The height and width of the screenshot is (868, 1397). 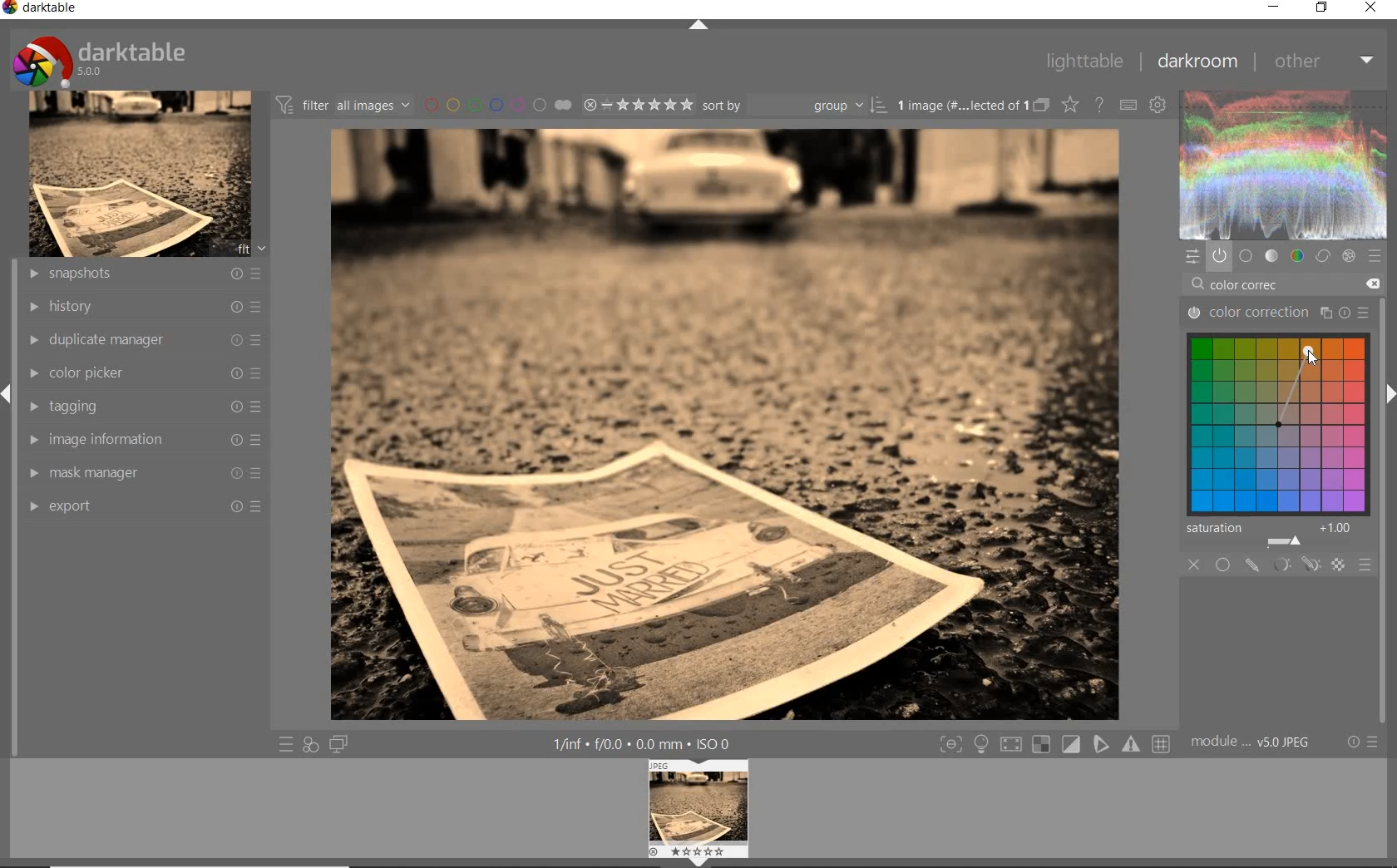 I want to click on sort, so click(x=795, y=105).